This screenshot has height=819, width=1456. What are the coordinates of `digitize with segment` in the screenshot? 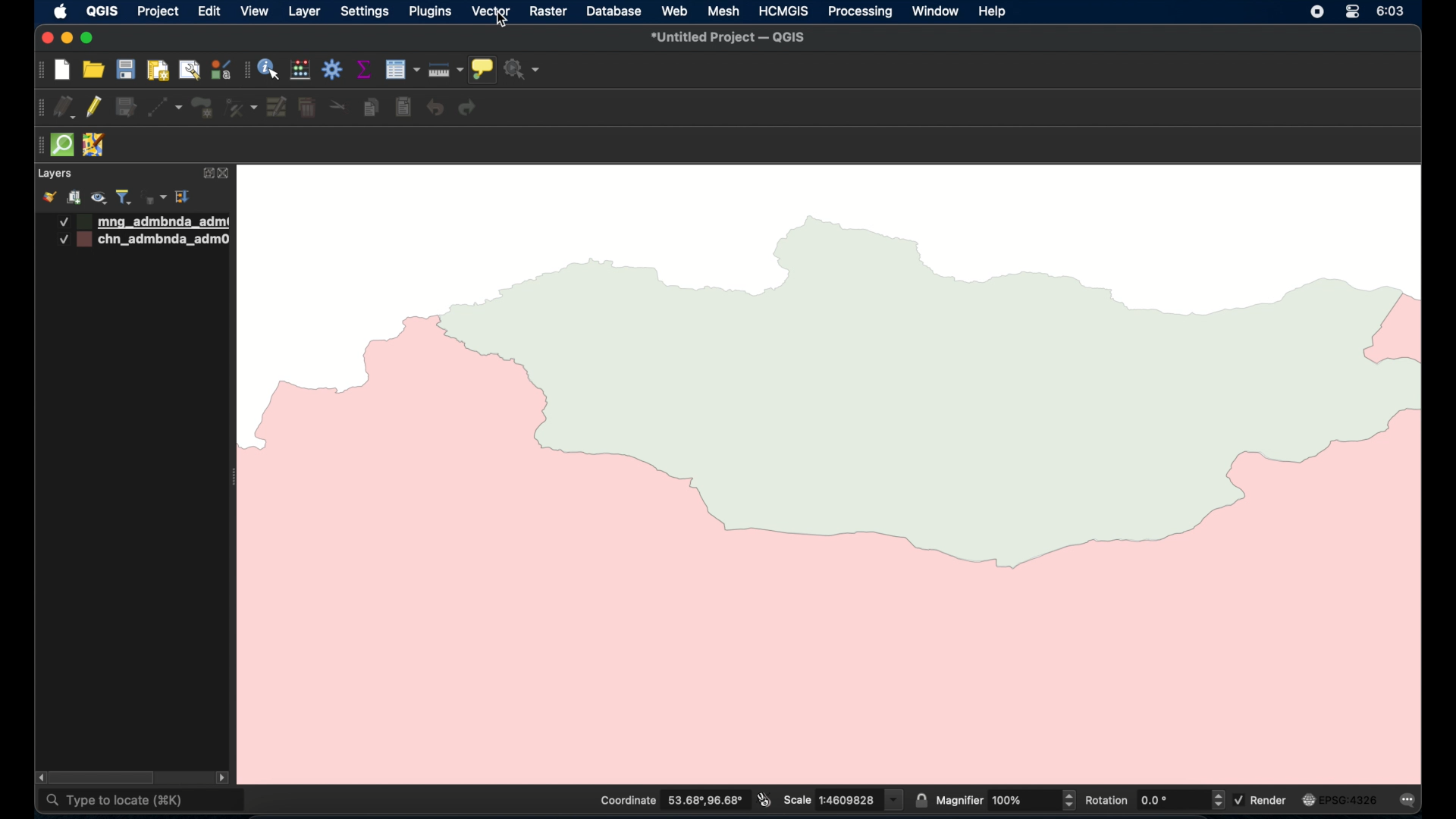 It's located at (165, 108).